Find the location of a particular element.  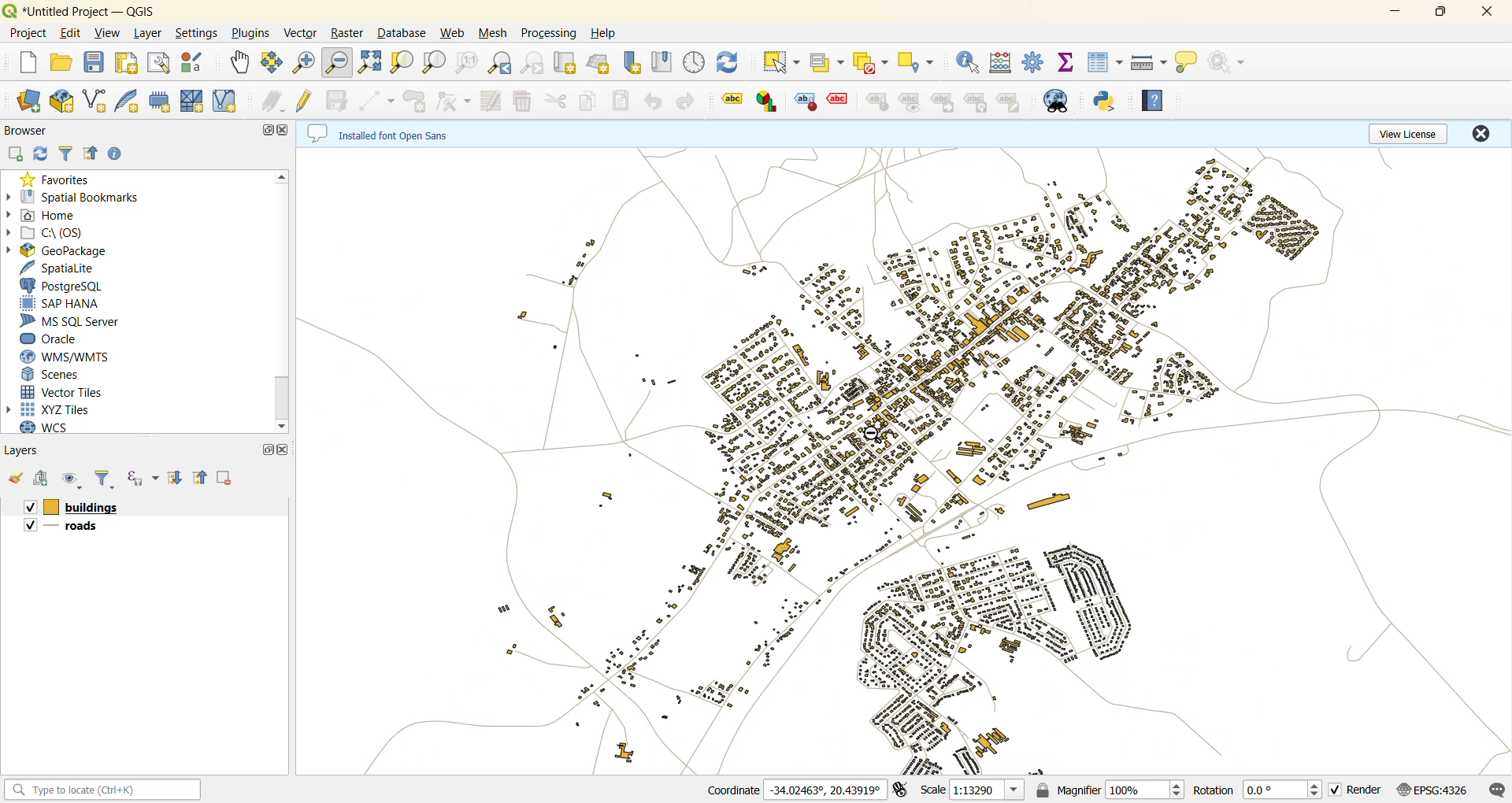

show layout is located at coordinates (157, 64).